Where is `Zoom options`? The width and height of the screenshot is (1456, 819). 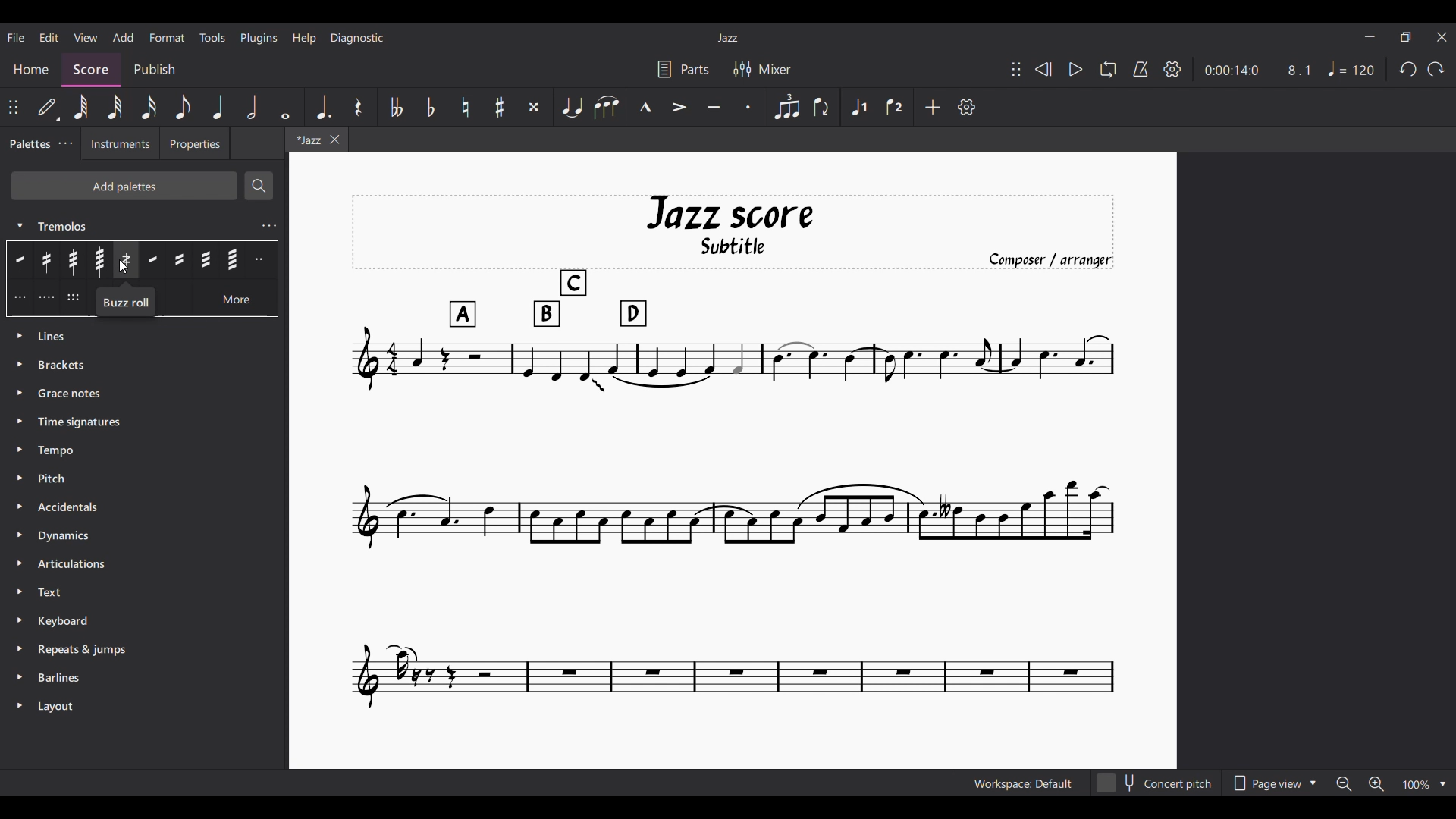
Zoom options is located at coordinates (1424, 783).